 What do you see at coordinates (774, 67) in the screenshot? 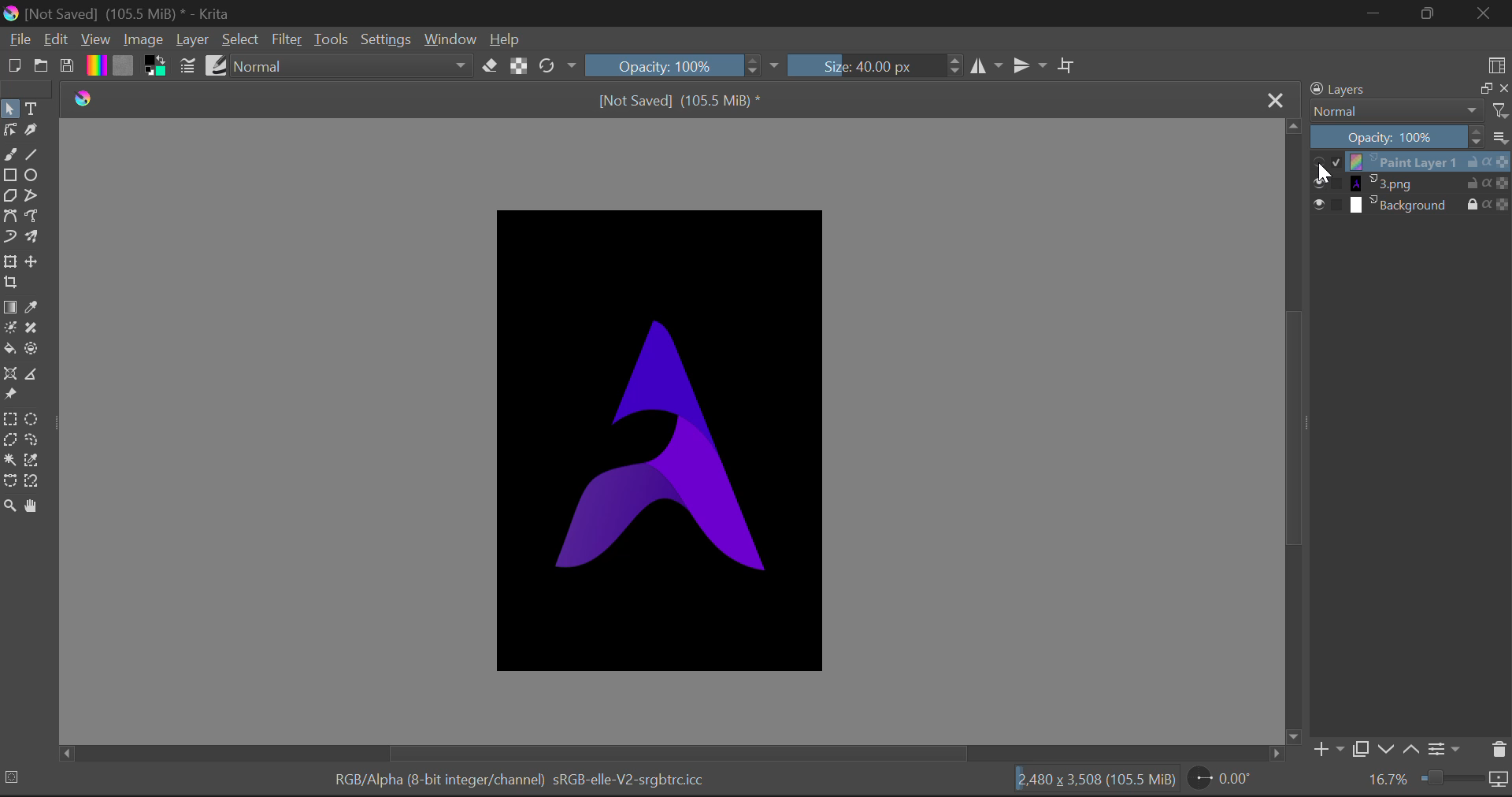
I see `expand` at bounding box center [774, 67].